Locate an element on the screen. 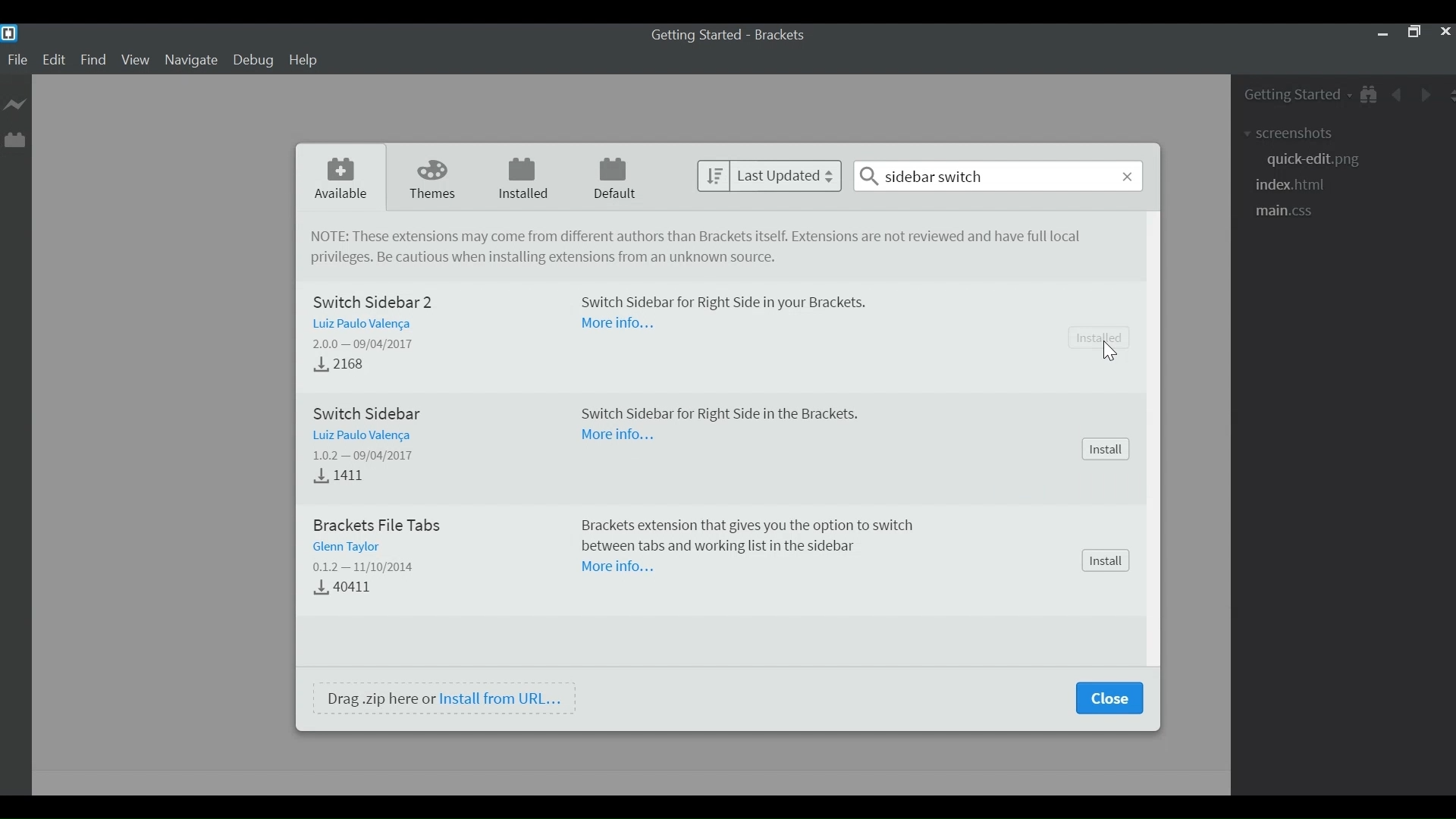  Show in File tree is located at coordinates (1367, 93).